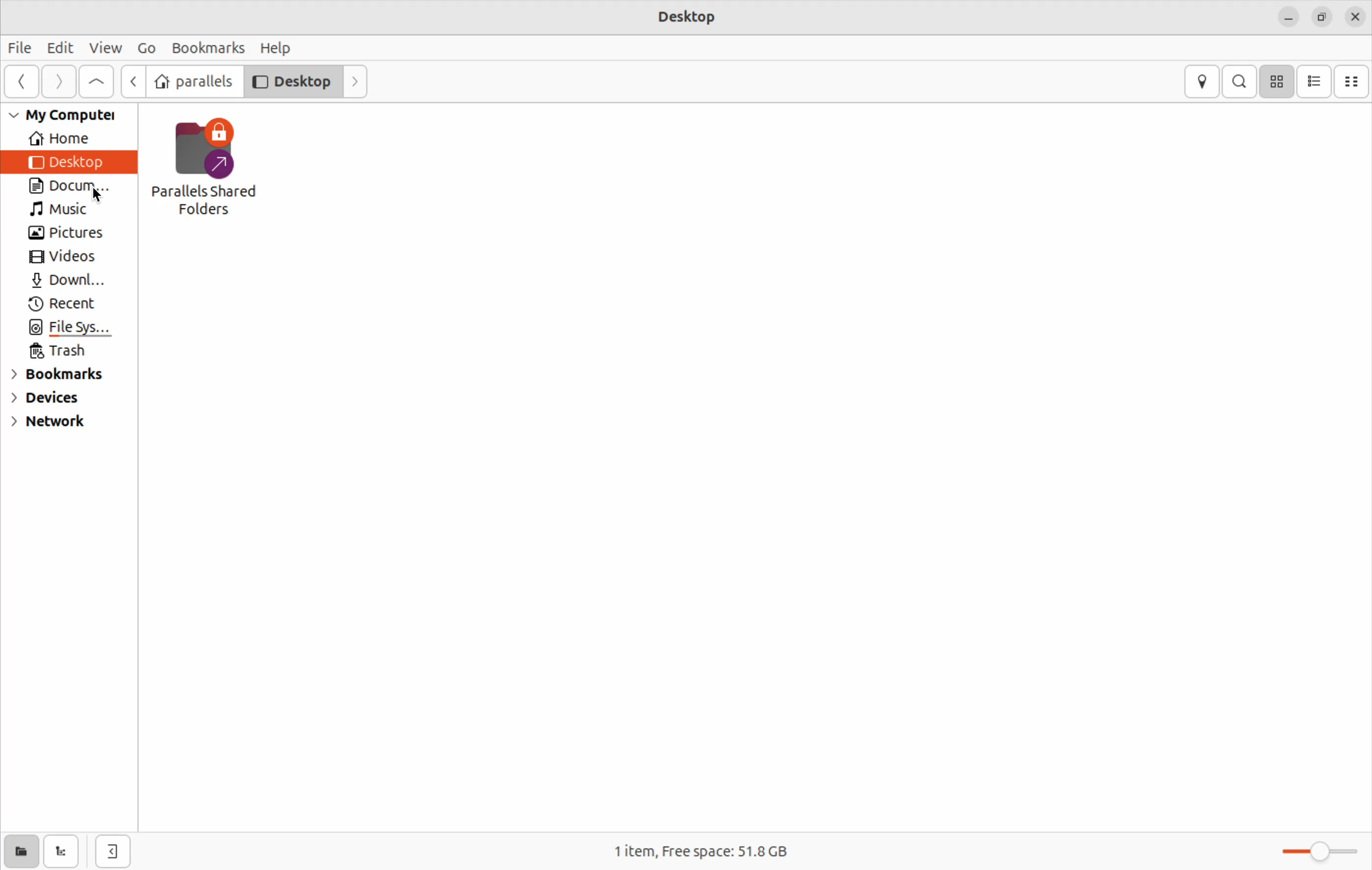 The width and height of the screenshot is (1372, 870). What do you see at coordinates (59, 398) in the screenshot?
I see `devices` at bounding box center [59, 398].